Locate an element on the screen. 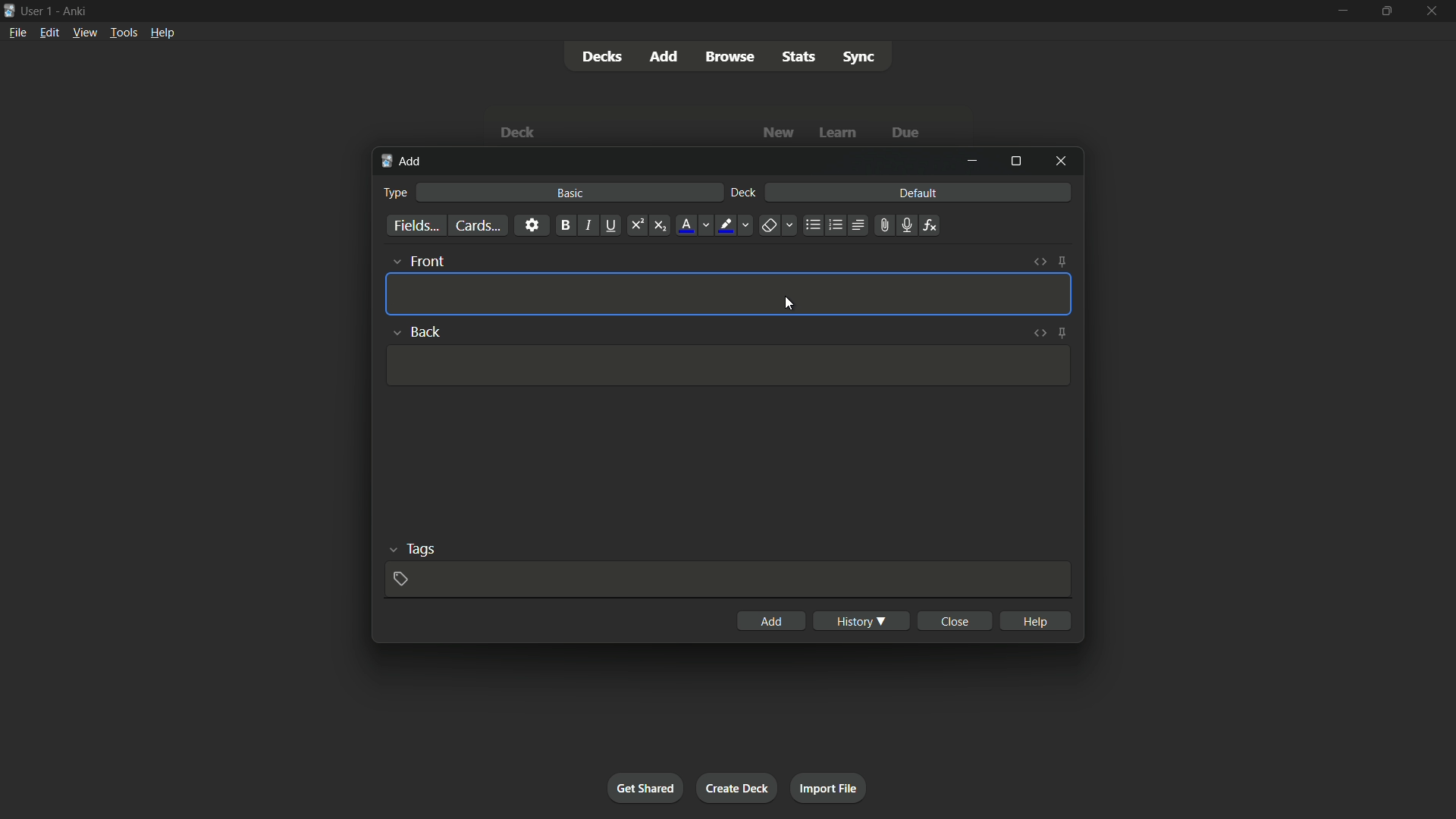 This screenshot has width=1456, height=819. sync is located at coordinates (859, 58).